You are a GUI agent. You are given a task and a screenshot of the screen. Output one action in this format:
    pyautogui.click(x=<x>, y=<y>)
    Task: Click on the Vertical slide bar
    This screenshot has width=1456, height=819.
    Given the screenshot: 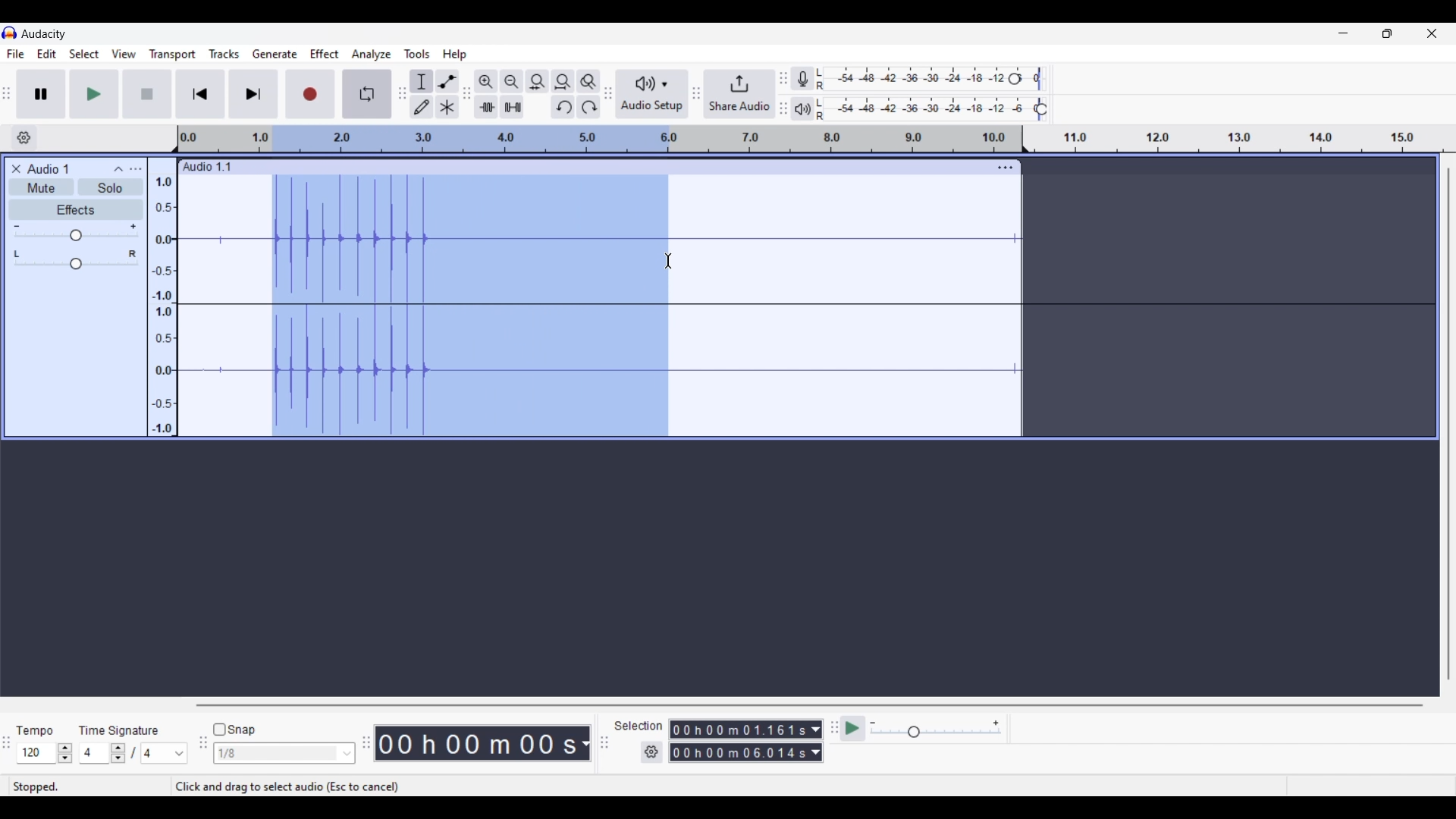 What is the action you would take?
    pyautogui.click(x=1448, y=423)
    